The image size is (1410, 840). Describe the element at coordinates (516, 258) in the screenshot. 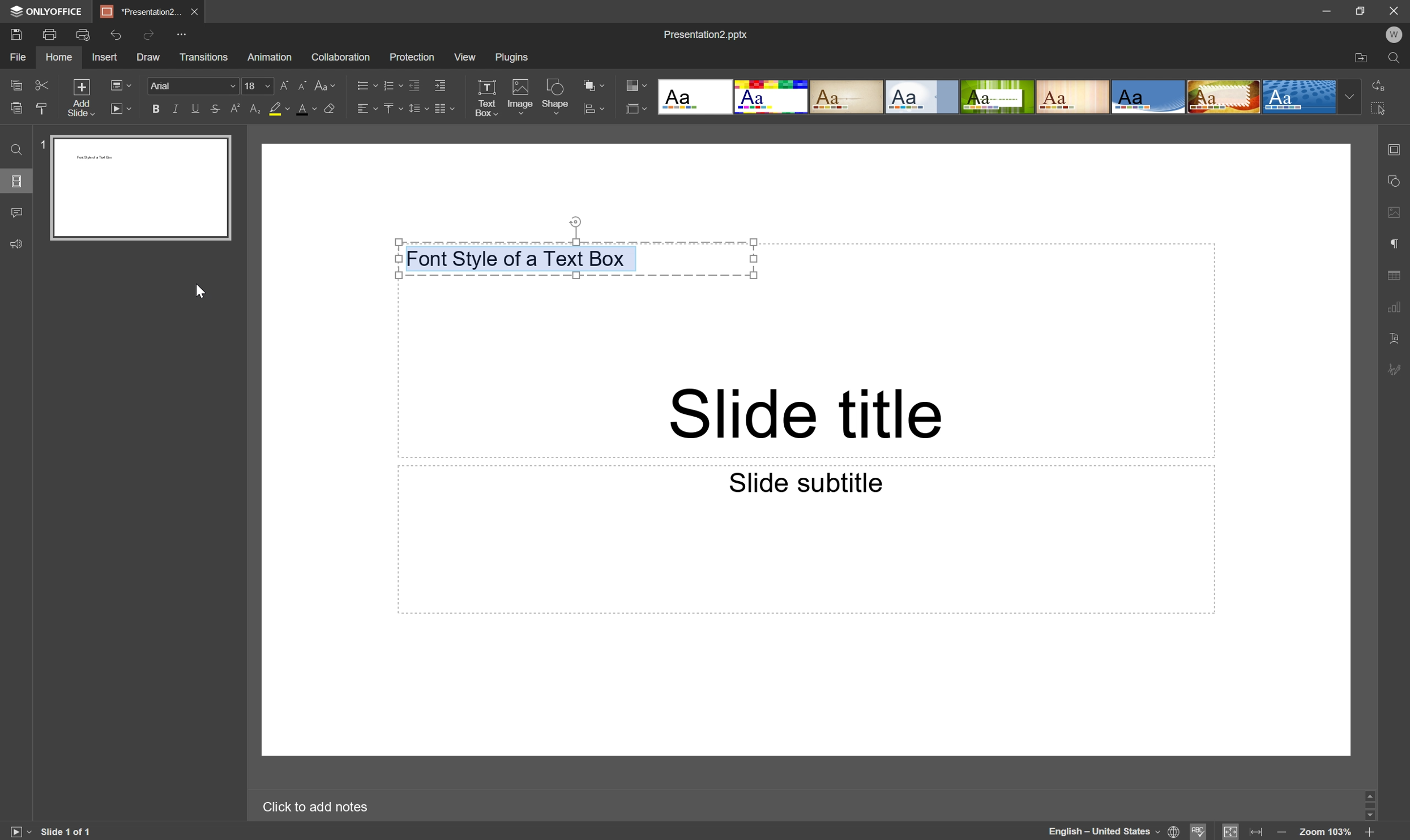

I see `Font style of a text box` at that location.